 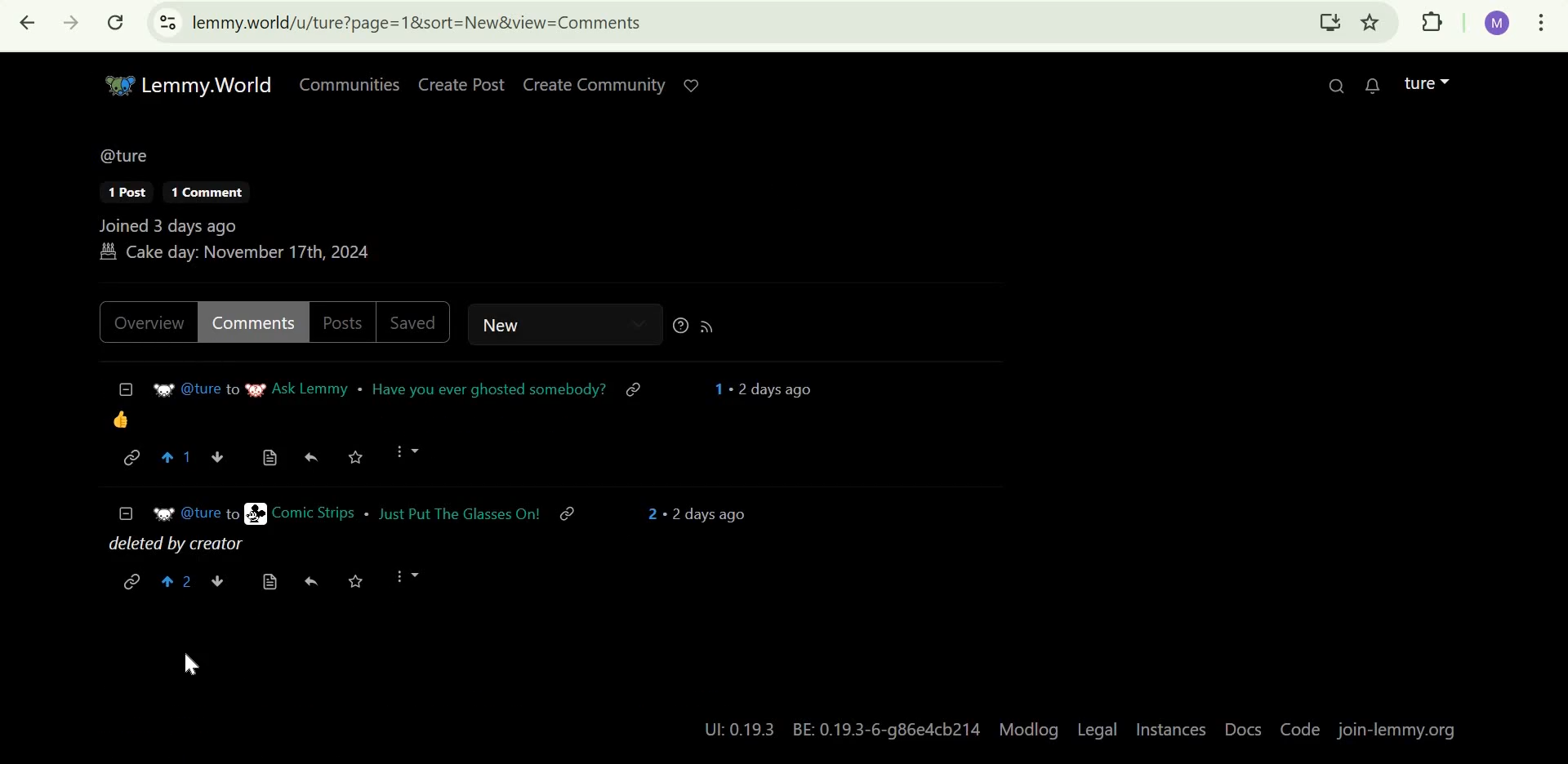 What do you see at coordinates (269, 580) in the screenshot?
I see `view source` at bounding box center [269, 580].